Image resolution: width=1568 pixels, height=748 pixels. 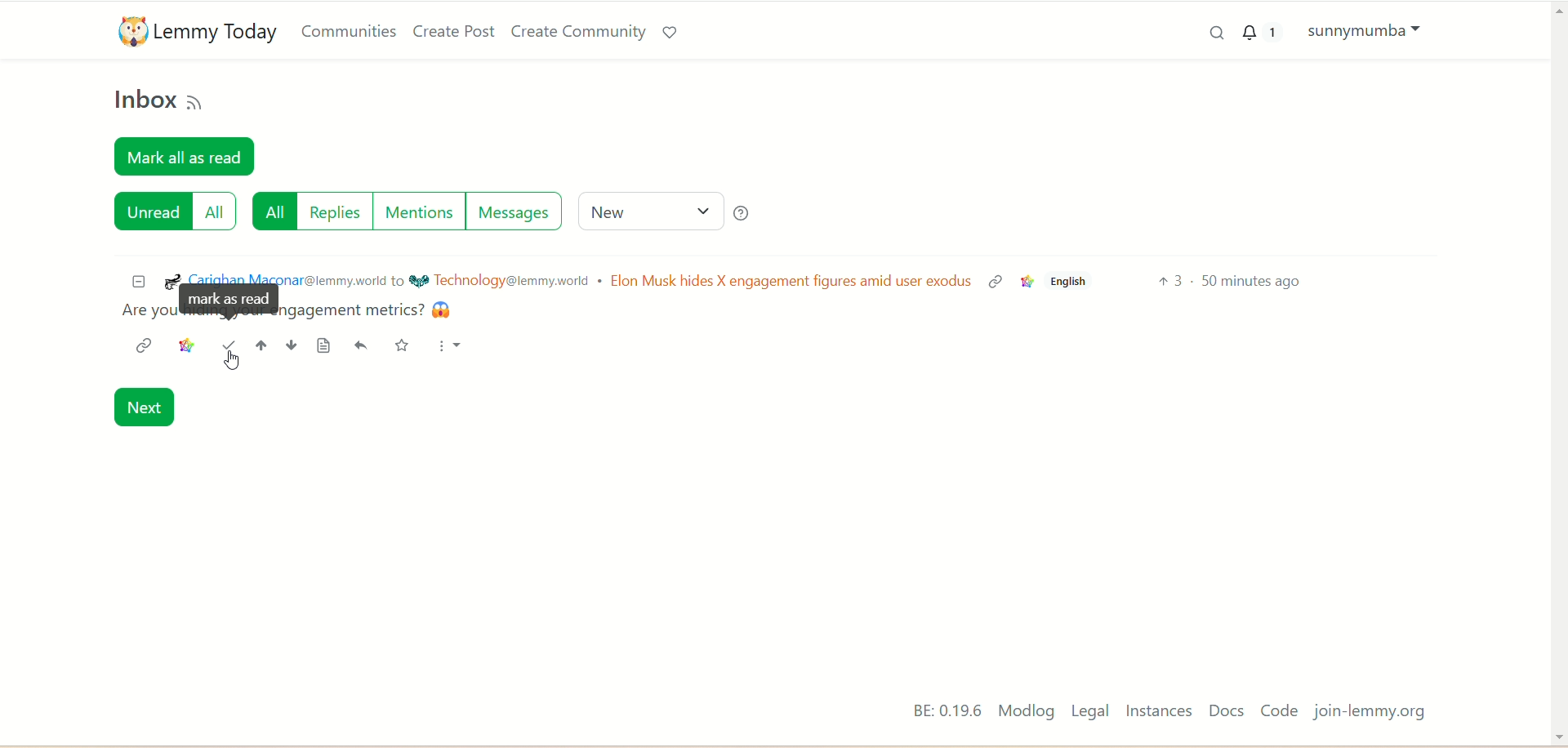 What do you see at coordinates (672, 32) in the screenshot?
I see `support lemmy` at bounding box center [672, 32].